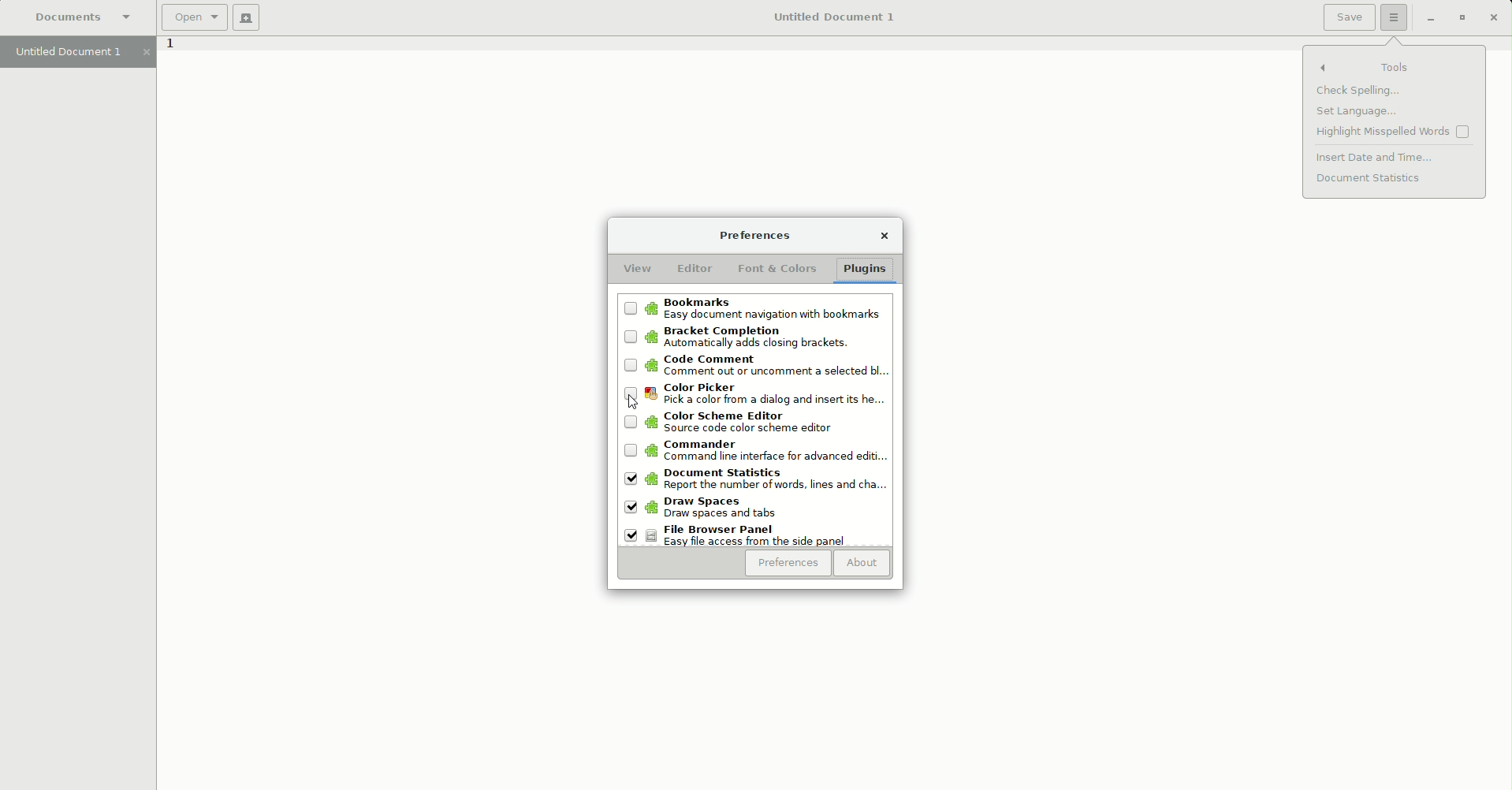 This screenshot has height=790, width=1512. I want to click on File browser panel: Easy file access from the side panel, so click(740, 535).